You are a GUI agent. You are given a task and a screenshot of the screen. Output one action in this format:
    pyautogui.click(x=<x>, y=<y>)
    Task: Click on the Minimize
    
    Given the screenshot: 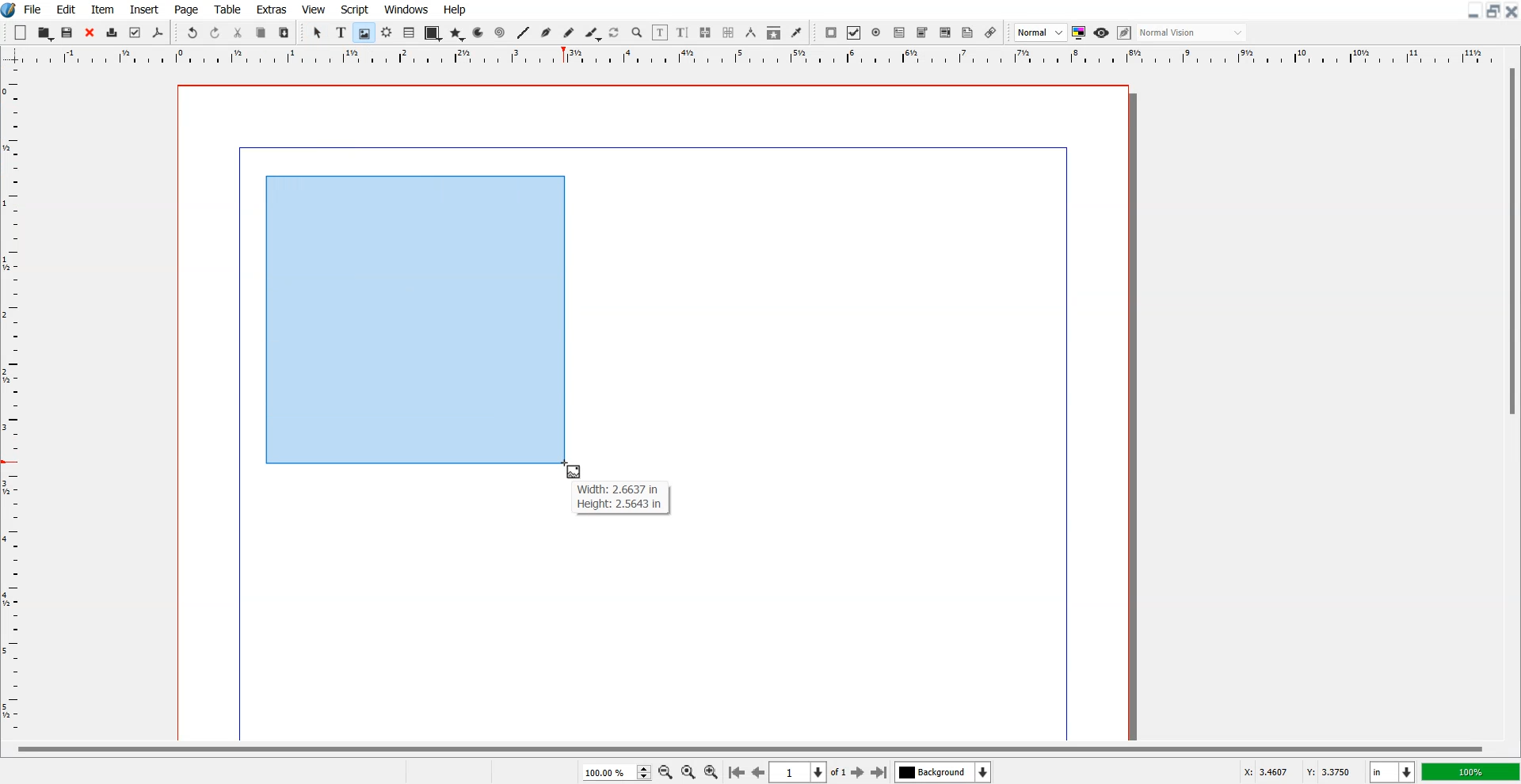 What is the action you would take?
    pyautogui.click(x=1472, y=11)
    